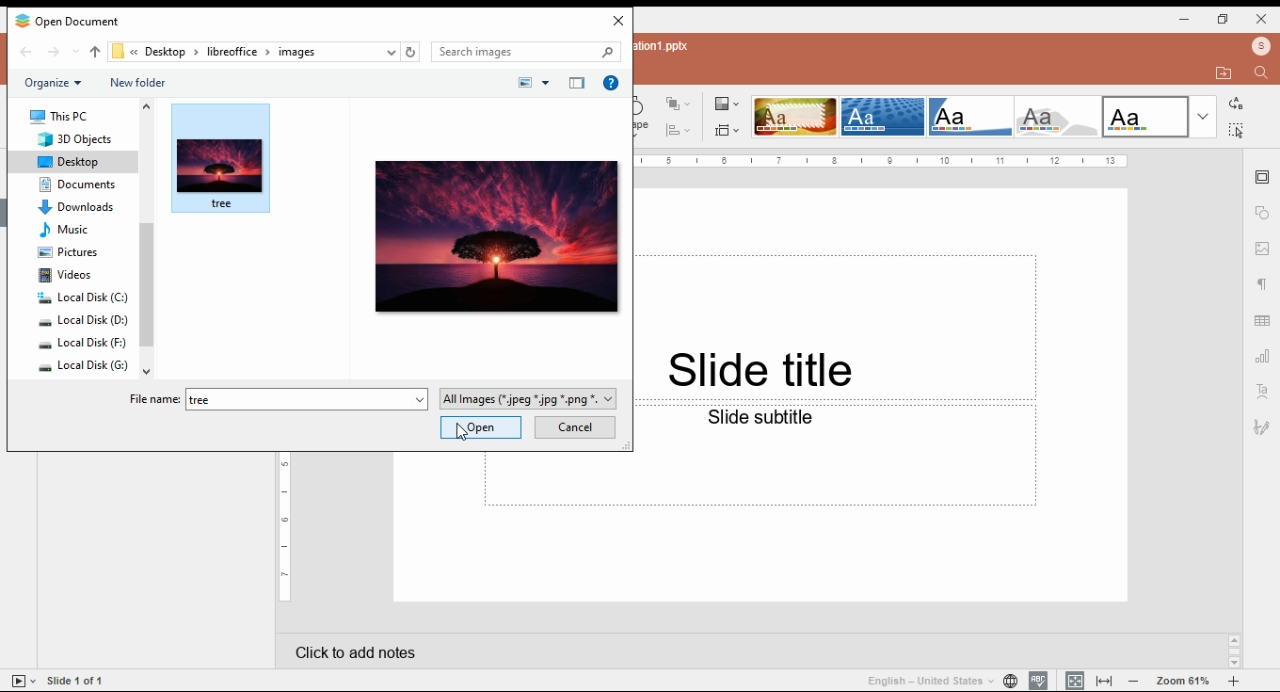 The height and width of the screenshot is (692, 1280). What do you see at coordinates (390, 53) in the screenshot?
I see `recent locations` at bounding box center [390, 53].